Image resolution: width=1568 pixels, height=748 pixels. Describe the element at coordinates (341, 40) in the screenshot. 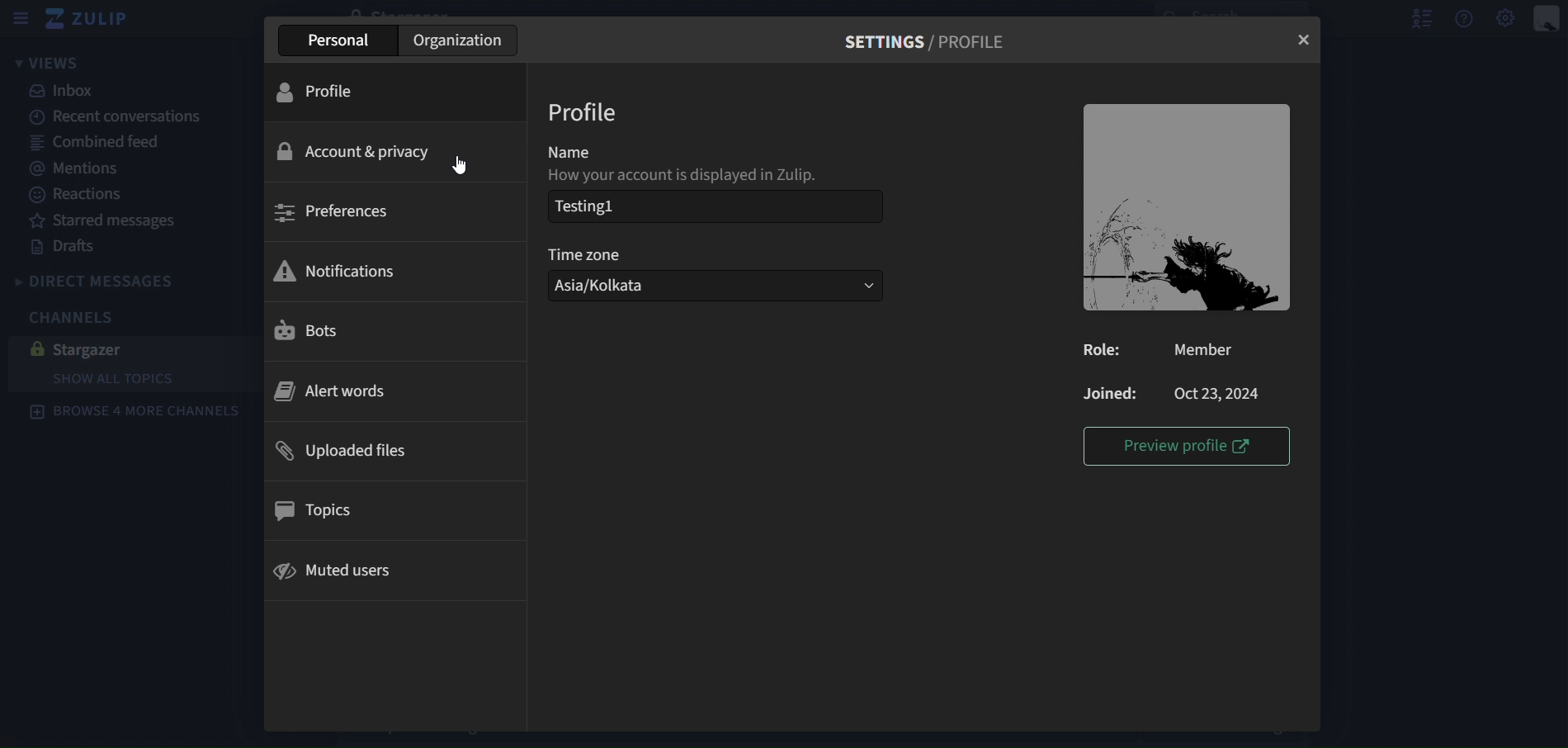

I see `personal` at that location.